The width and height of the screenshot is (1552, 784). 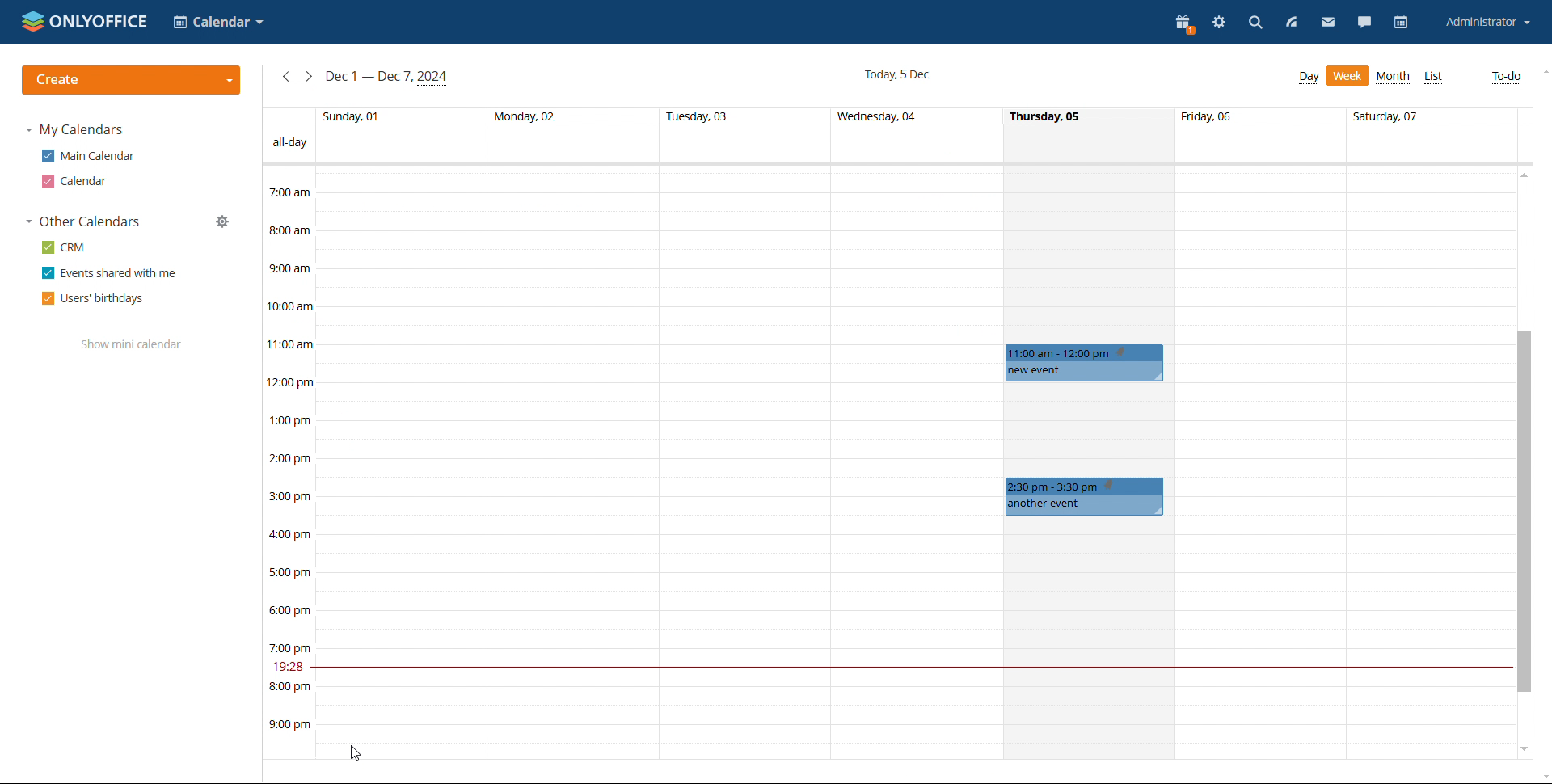 What do you see at coordinates (356, 751) in the screenshot?
I see `cursor` at bounding box center [356, 751].